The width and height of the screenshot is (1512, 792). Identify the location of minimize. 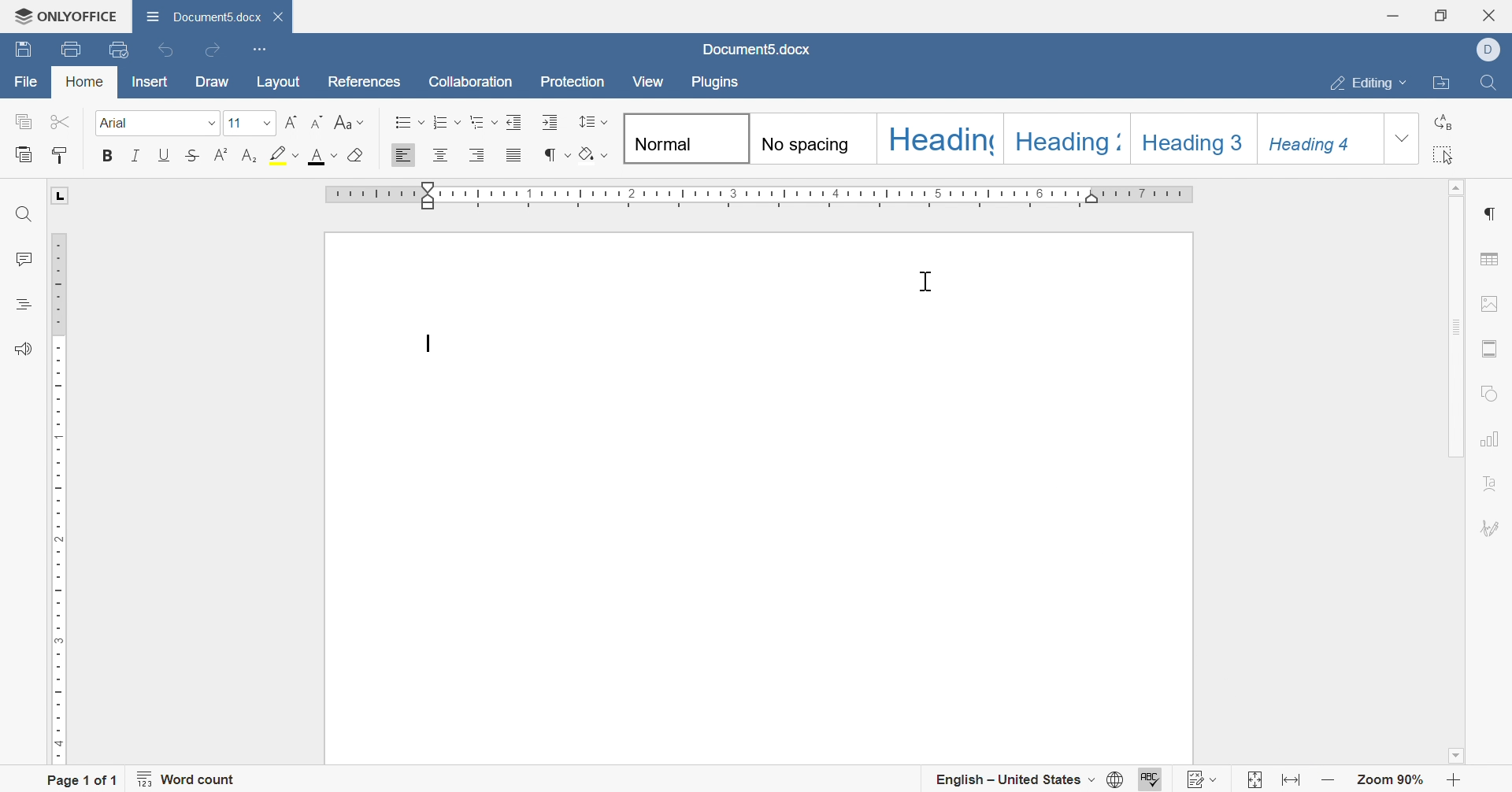
(1393, 11).